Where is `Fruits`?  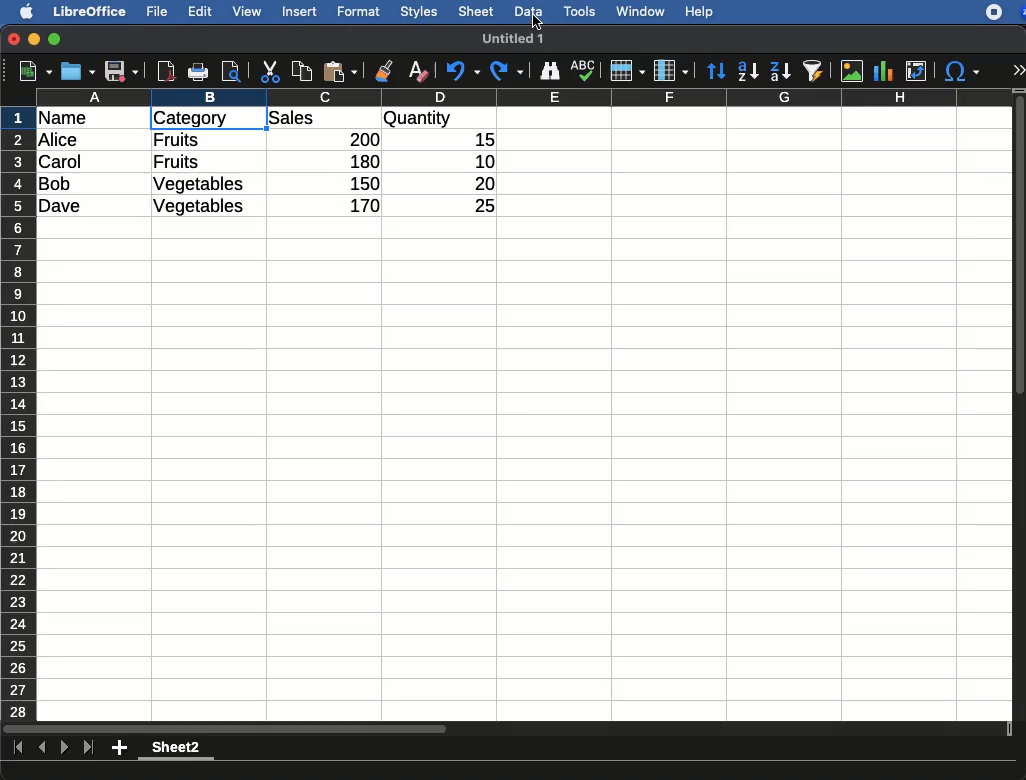
Fruits is located at coordinates (176, 162).